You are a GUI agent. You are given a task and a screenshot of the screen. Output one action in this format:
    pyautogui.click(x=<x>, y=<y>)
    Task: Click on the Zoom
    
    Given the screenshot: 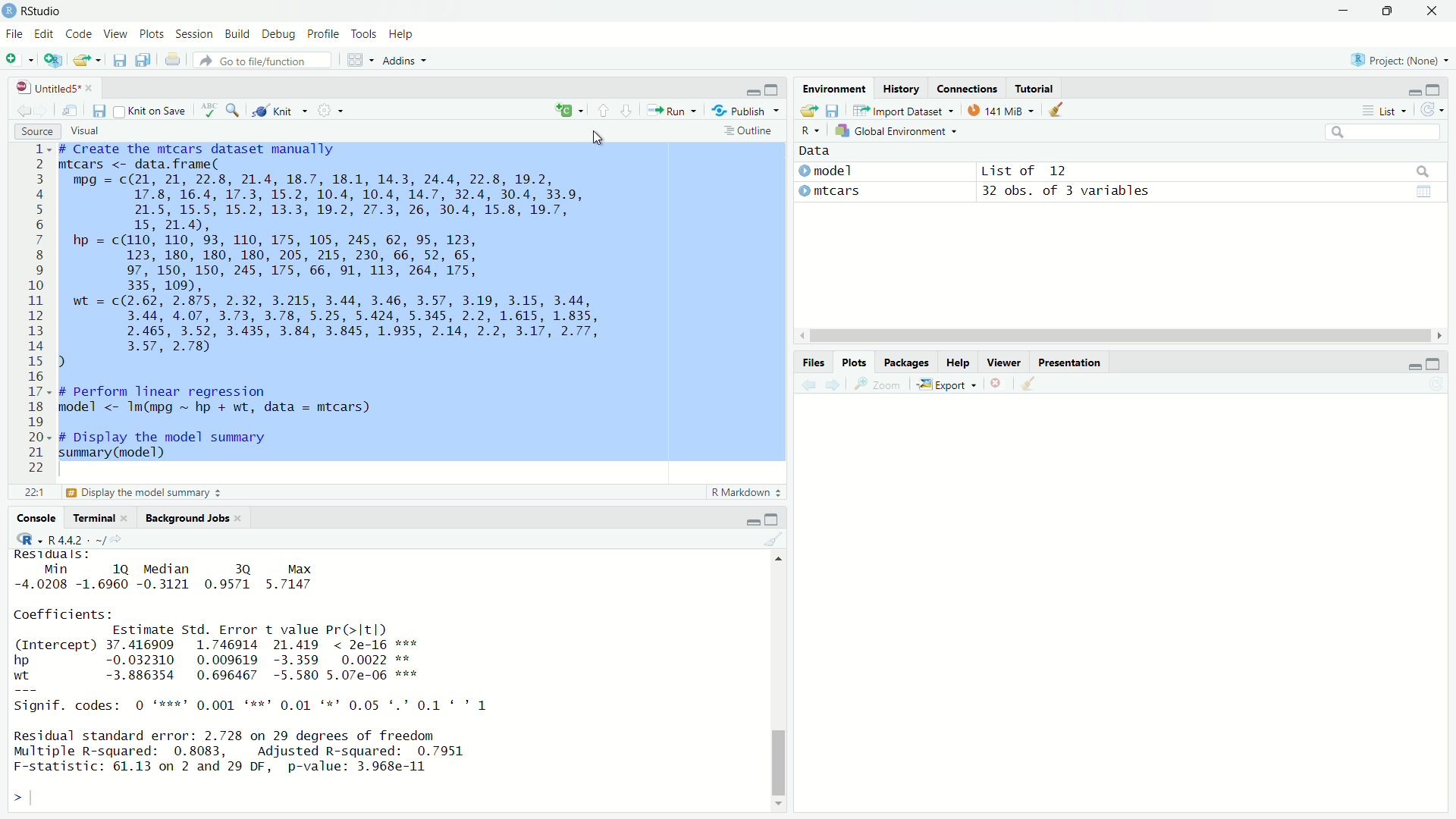 What is the action you would take?
    pyautogui.click(x=882, y=384)
    